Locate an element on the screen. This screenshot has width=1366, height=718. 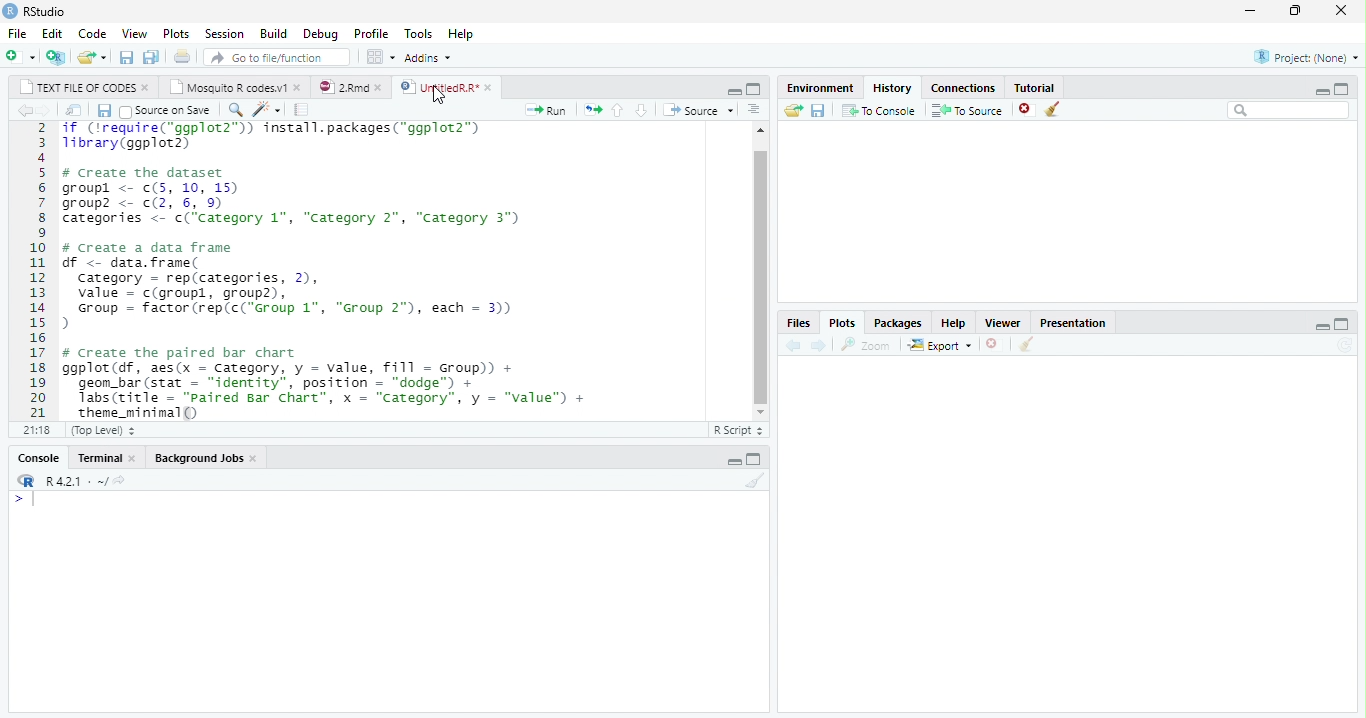
open an existing file is located at coordinates (91, 56).